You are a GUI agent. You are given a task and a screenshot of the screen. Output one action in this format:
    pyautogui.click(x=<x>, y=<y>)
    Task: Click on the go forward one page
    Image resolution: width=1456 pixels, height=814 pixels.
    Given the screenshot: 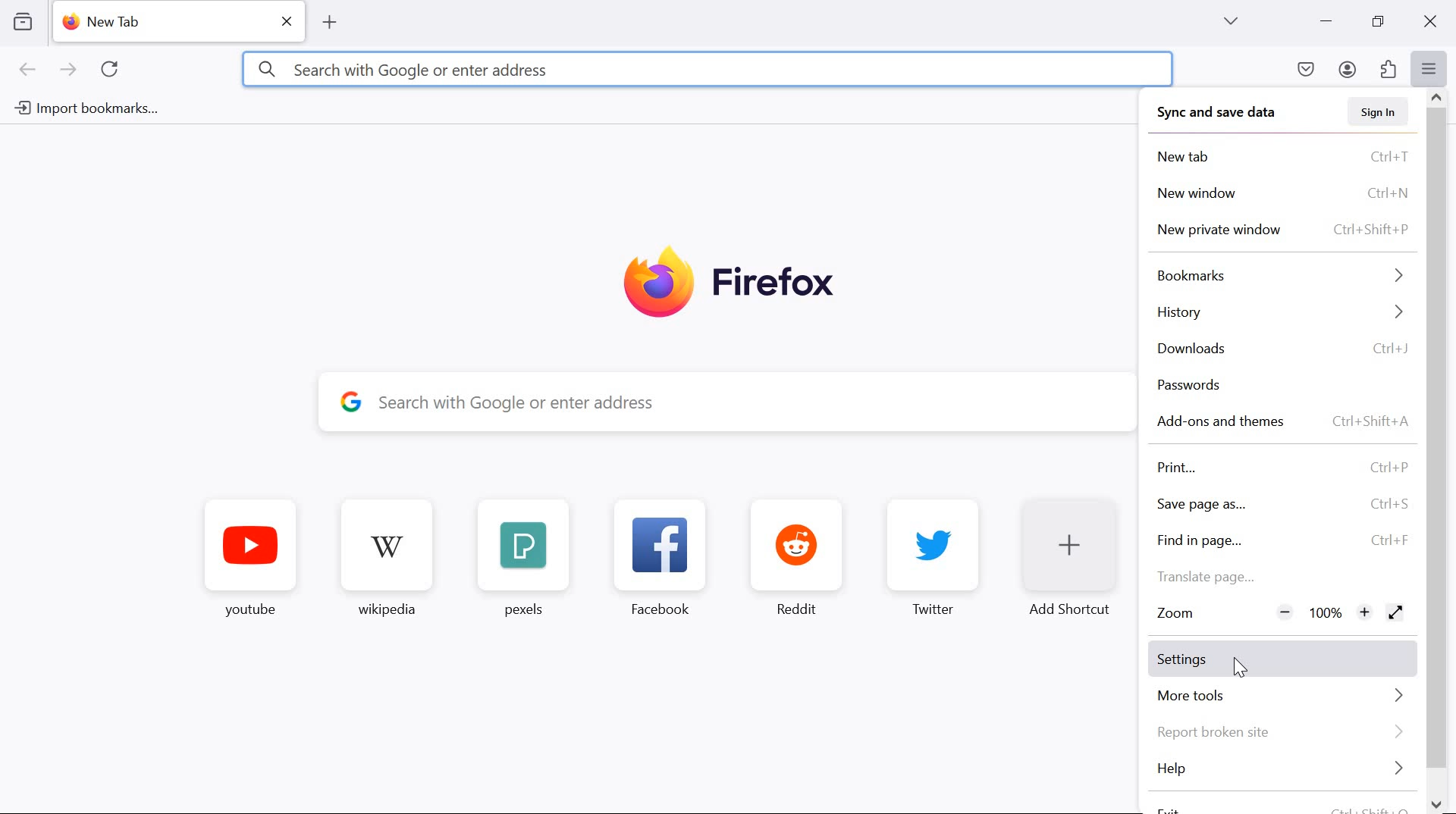 What is the action you would take?
    pyautogui.click(x=71, y=70)
    